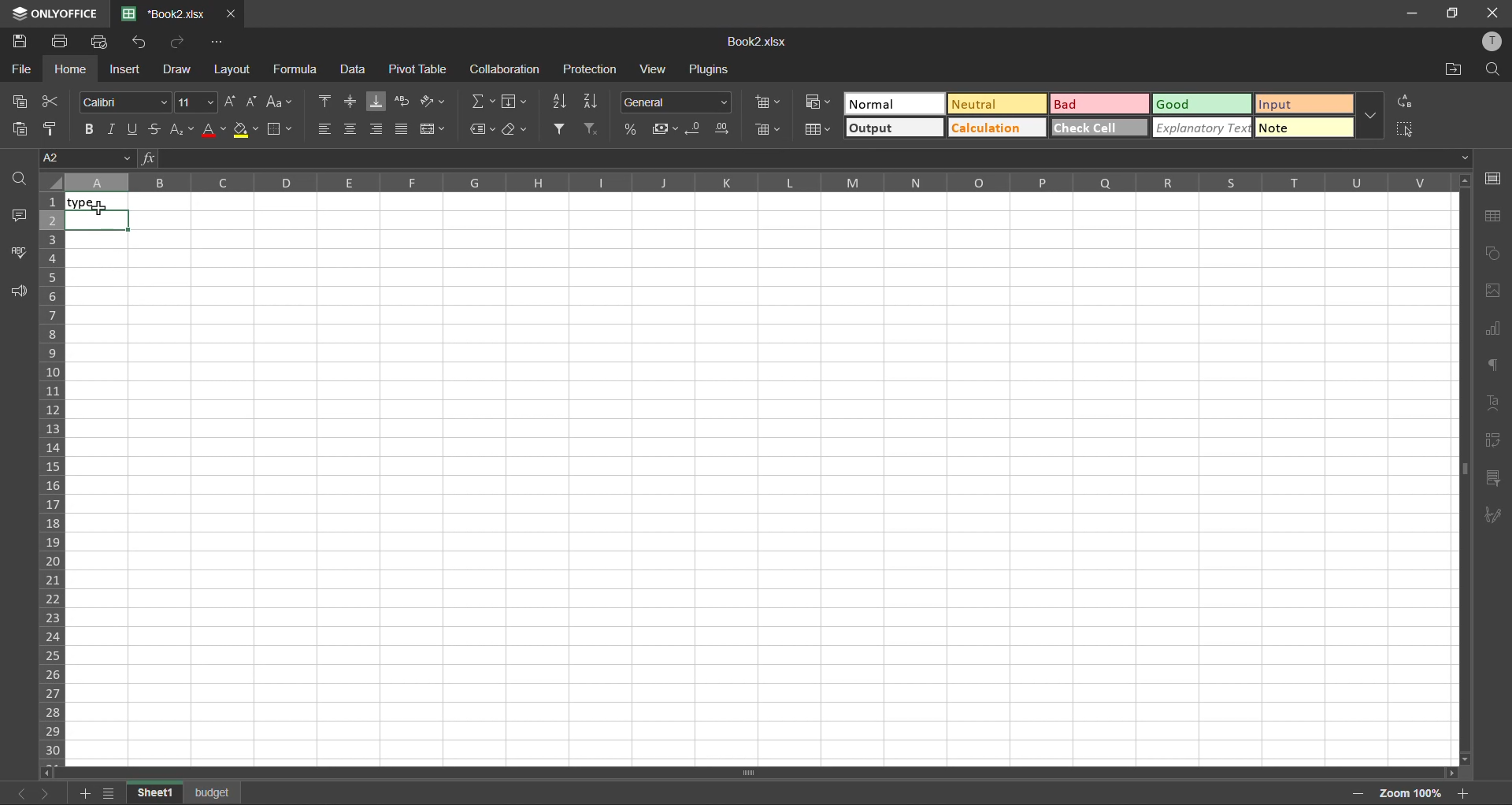  Describe the element at coordinates (1495, 176) in the screenshot. I see `cell settings` at that location.